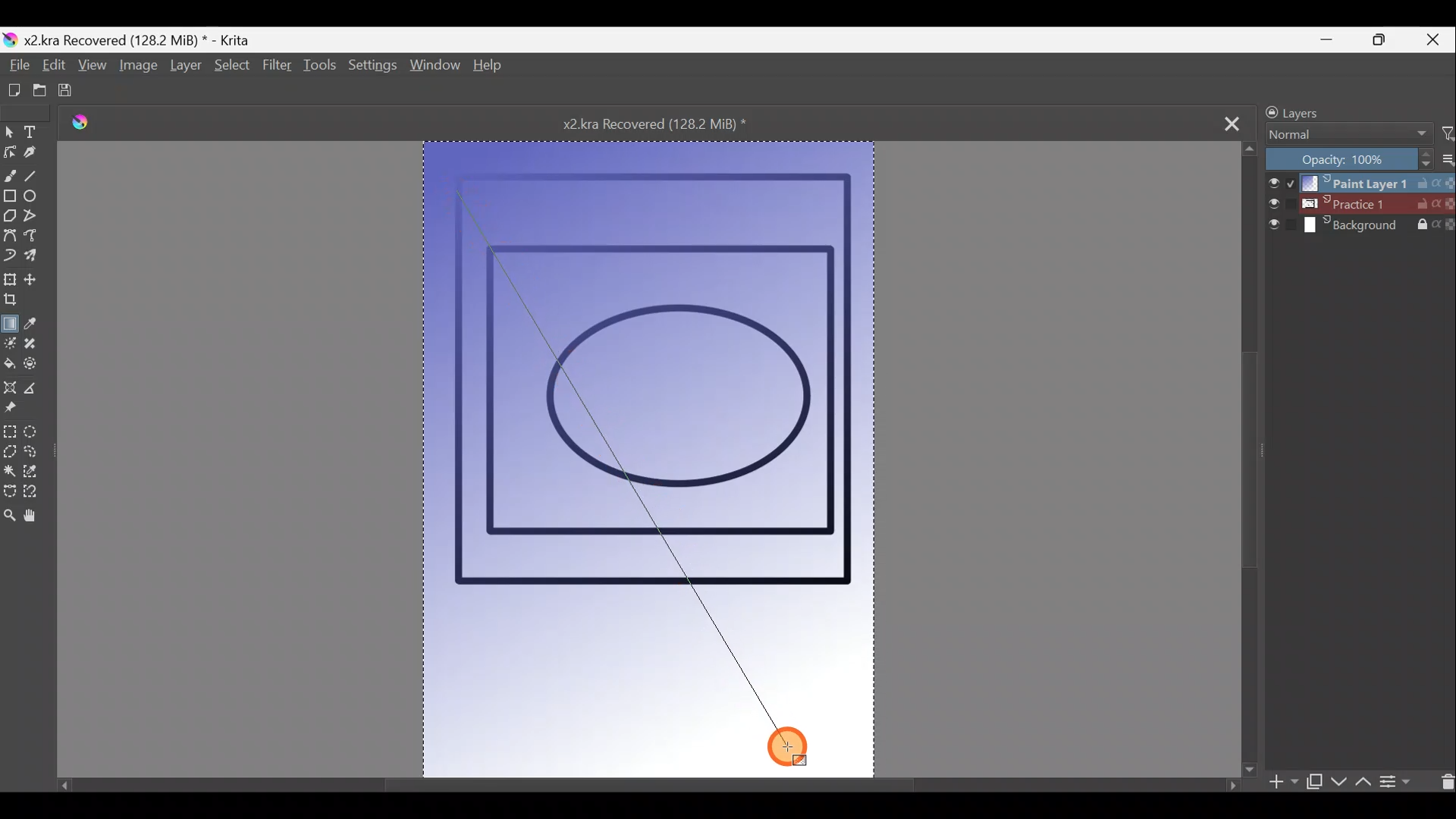 The height and width of the screenshot is (819, 1456). I want to click on Krita logo, so click(90, 125).